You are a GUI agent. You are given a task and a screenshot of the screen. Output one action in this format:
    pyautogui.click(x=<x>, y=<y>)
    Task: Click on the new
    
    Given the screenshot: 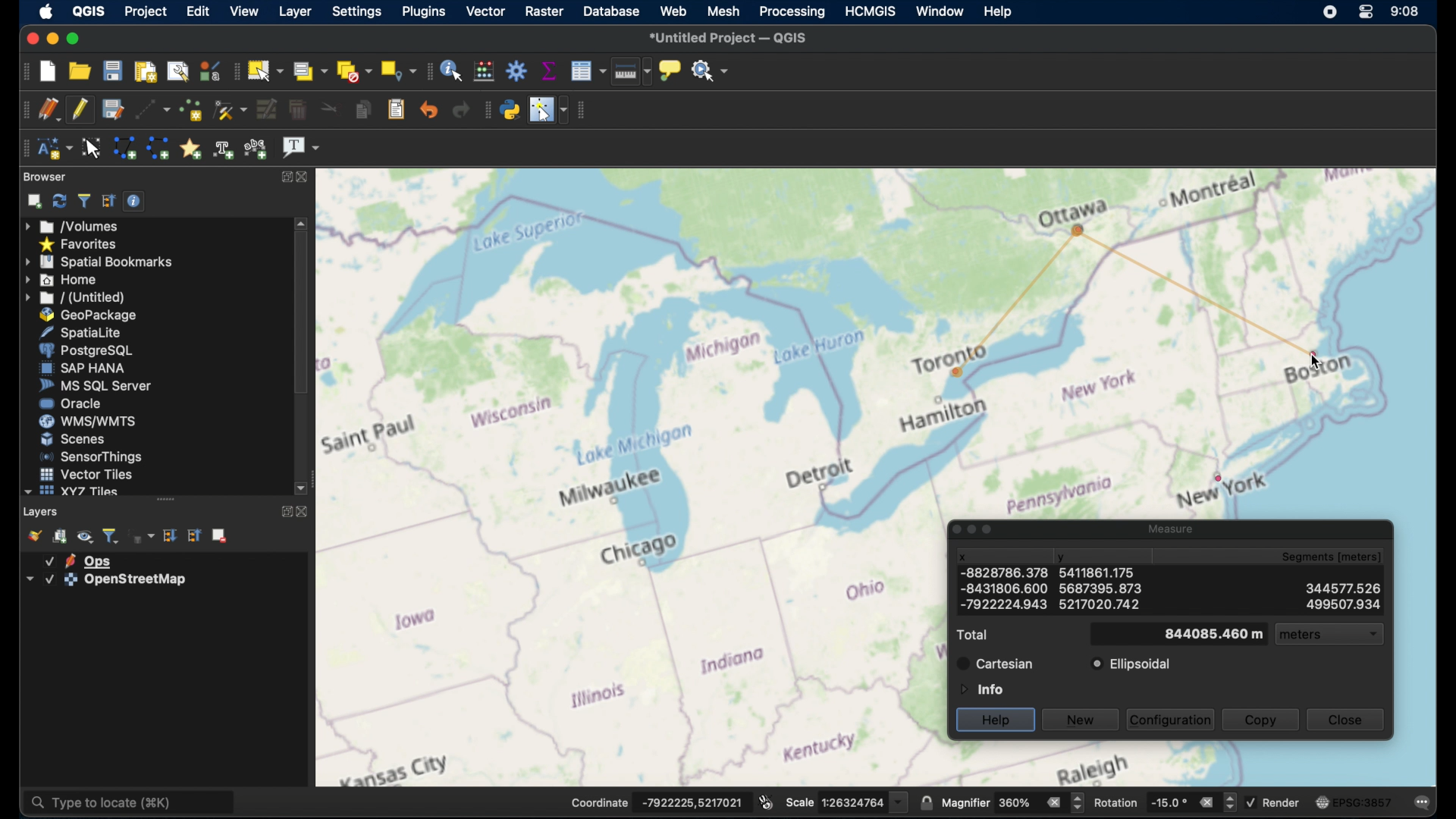 What is the action you would take?
    pyautogui.click(x=1082, y=718)
    